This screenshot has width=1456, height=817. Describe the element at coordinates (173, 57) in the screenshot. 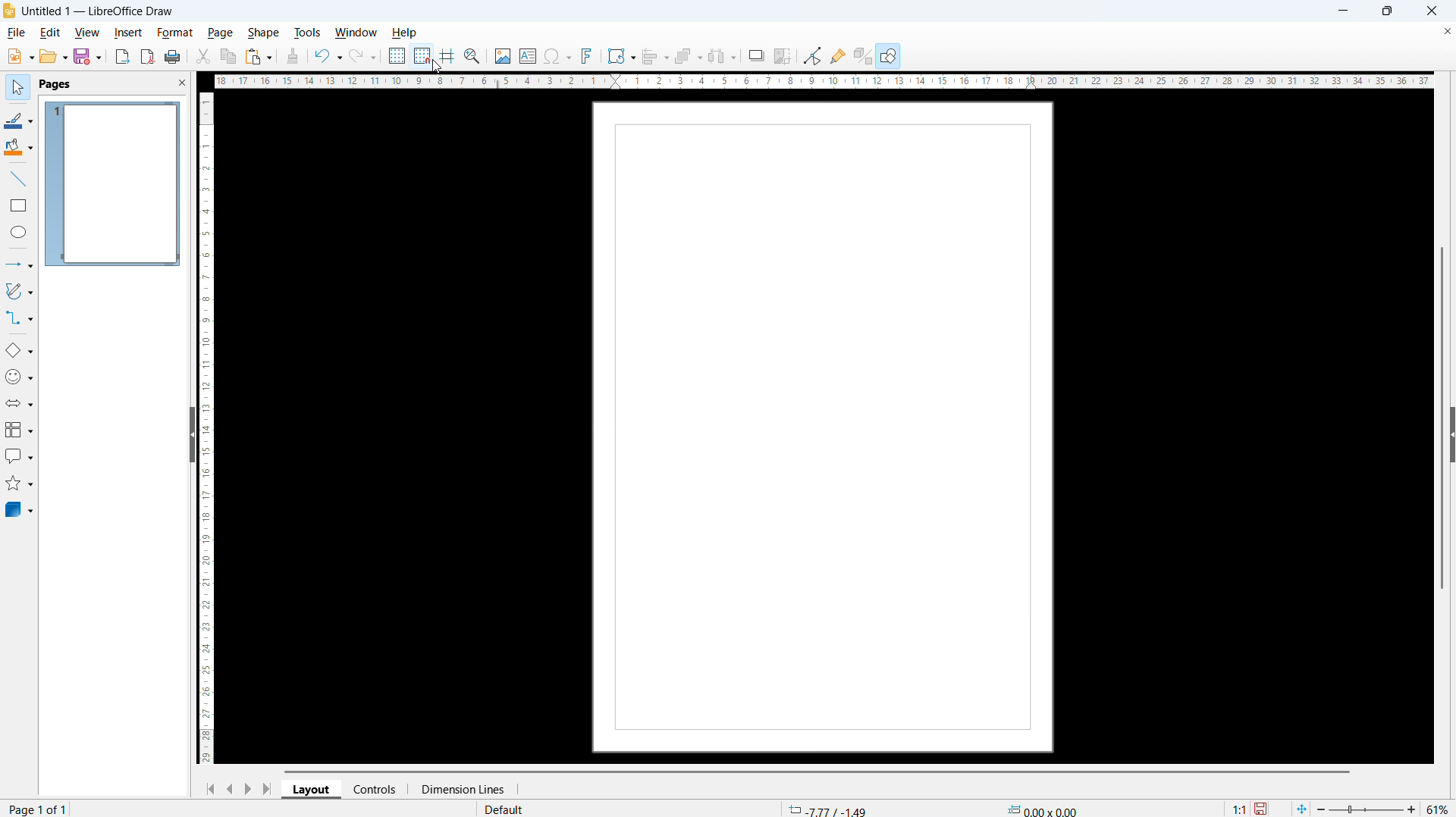

I see `print ` at that location.